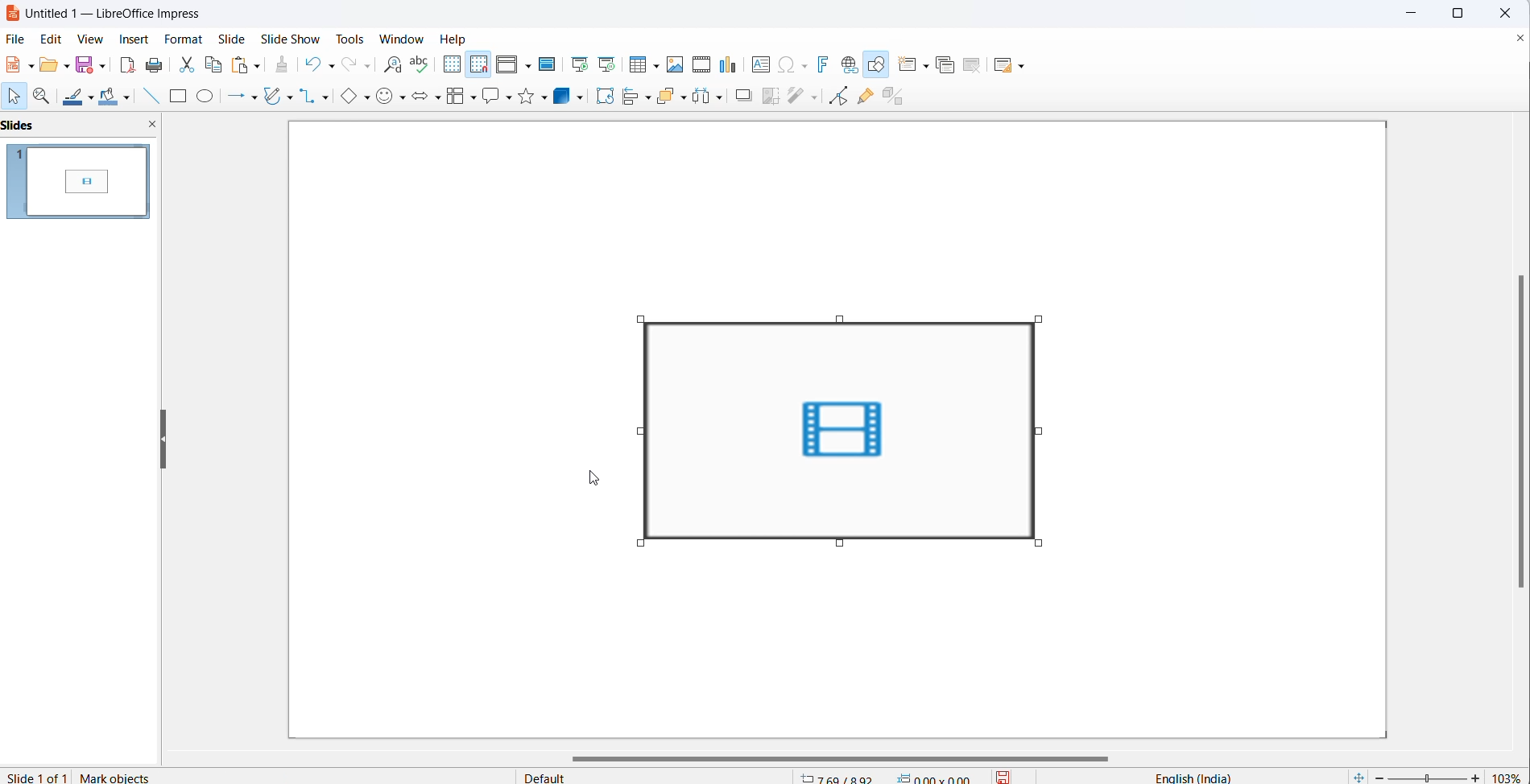 This screenshot has width=1530, height=784. What do you see at coordinates (213, 66) in the screenshot?
I see `copy` at bounding box center [213, 66].